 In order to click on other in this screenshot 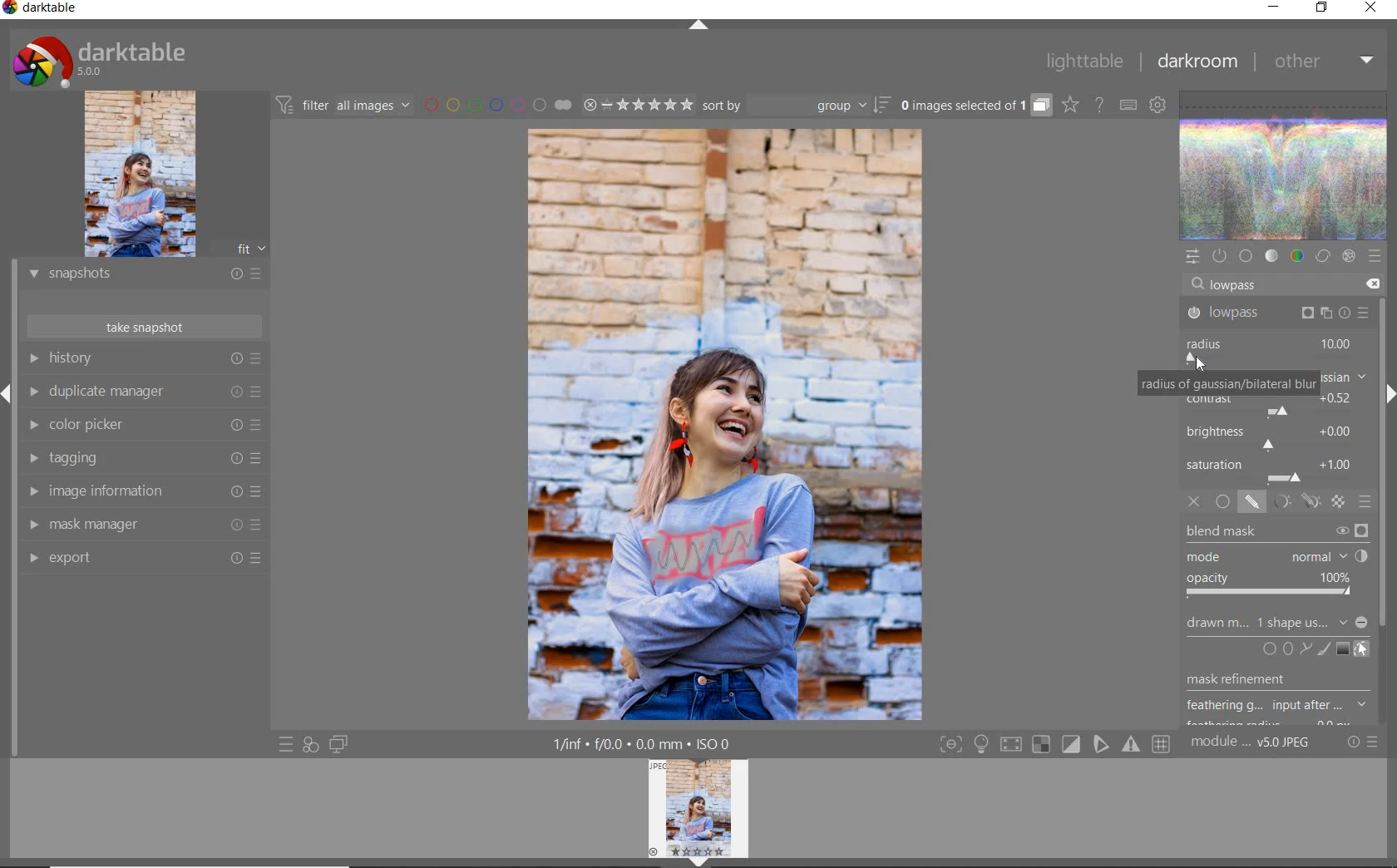, I will do `click(1323, 65)`.